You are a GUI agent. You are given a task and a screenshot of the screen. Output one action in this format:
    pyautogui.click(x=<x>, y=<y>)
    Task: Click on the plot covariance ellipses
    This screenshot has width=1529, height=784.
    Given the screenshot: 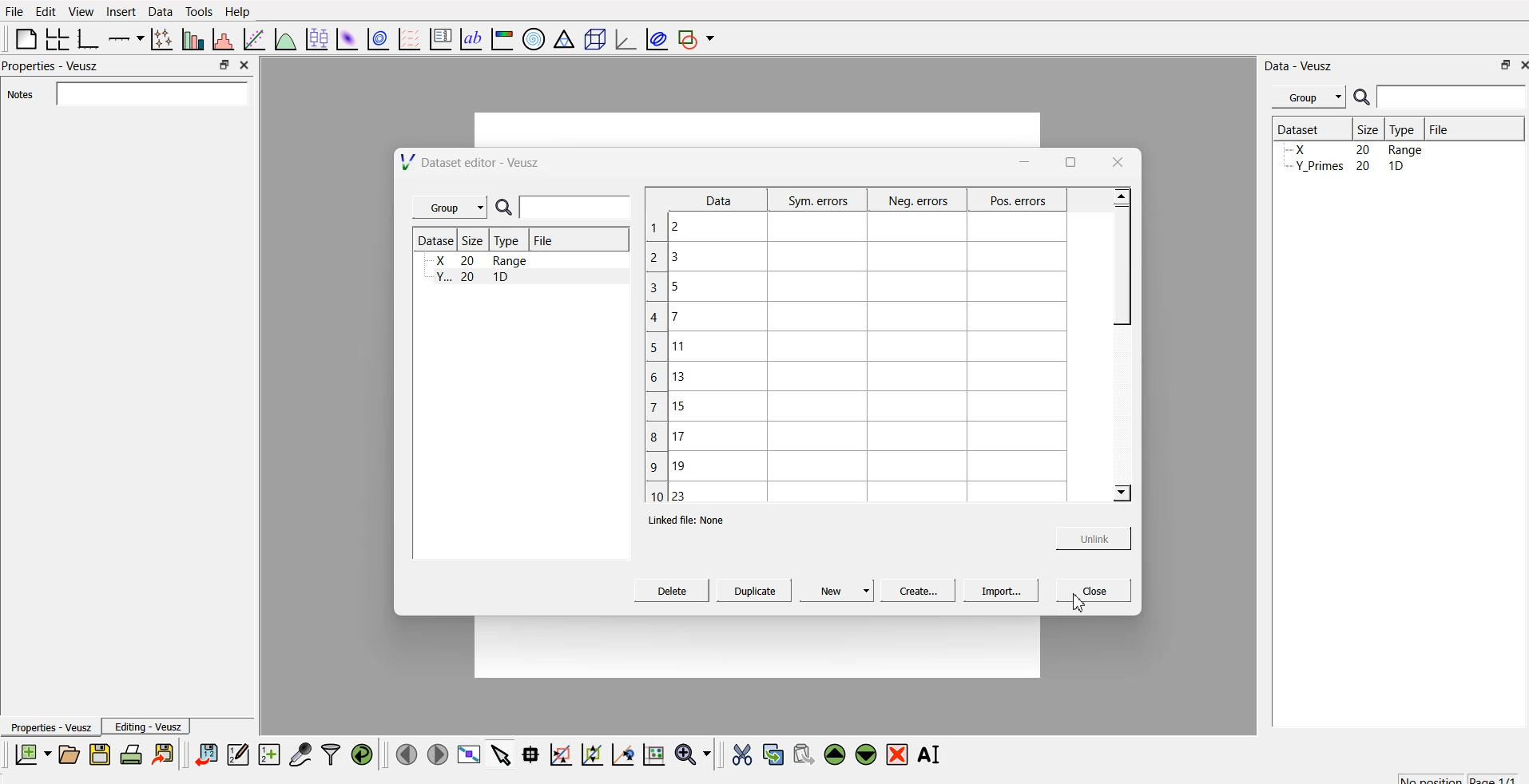 What is the action you would take?
    pyautogui.click(x=657, y=38)
    